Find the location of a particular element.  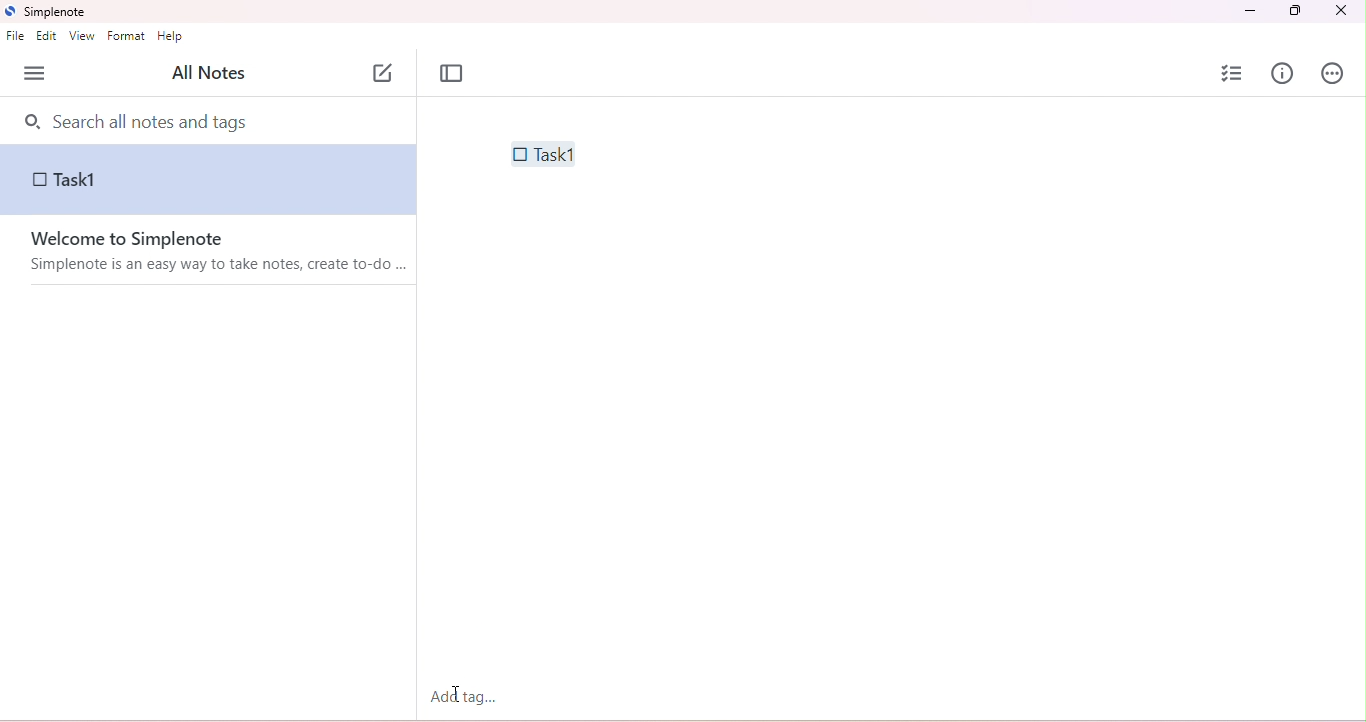

view is located at coordinates (81, 37).